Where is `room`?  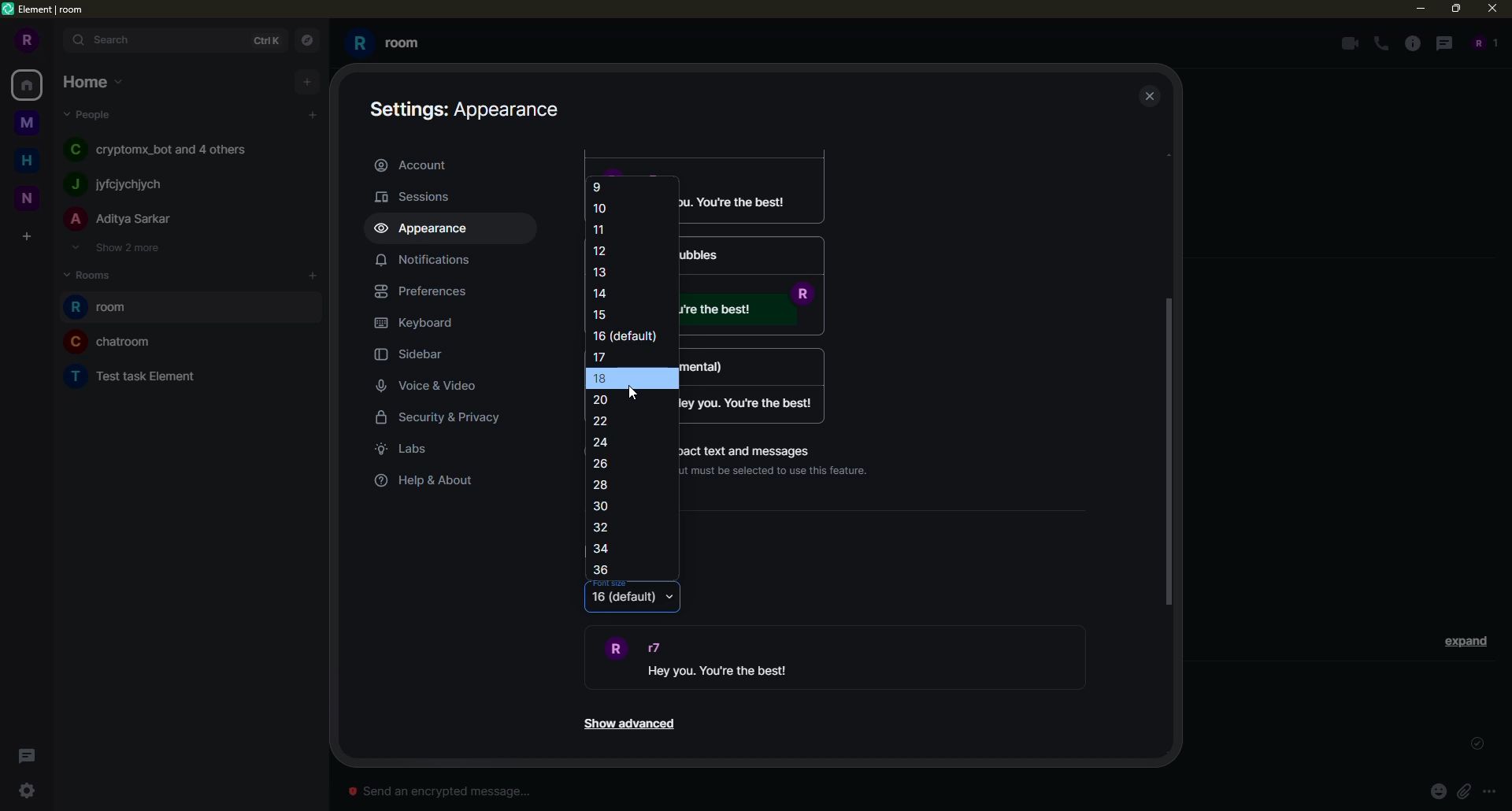 room is located at coordinates (105, 308).